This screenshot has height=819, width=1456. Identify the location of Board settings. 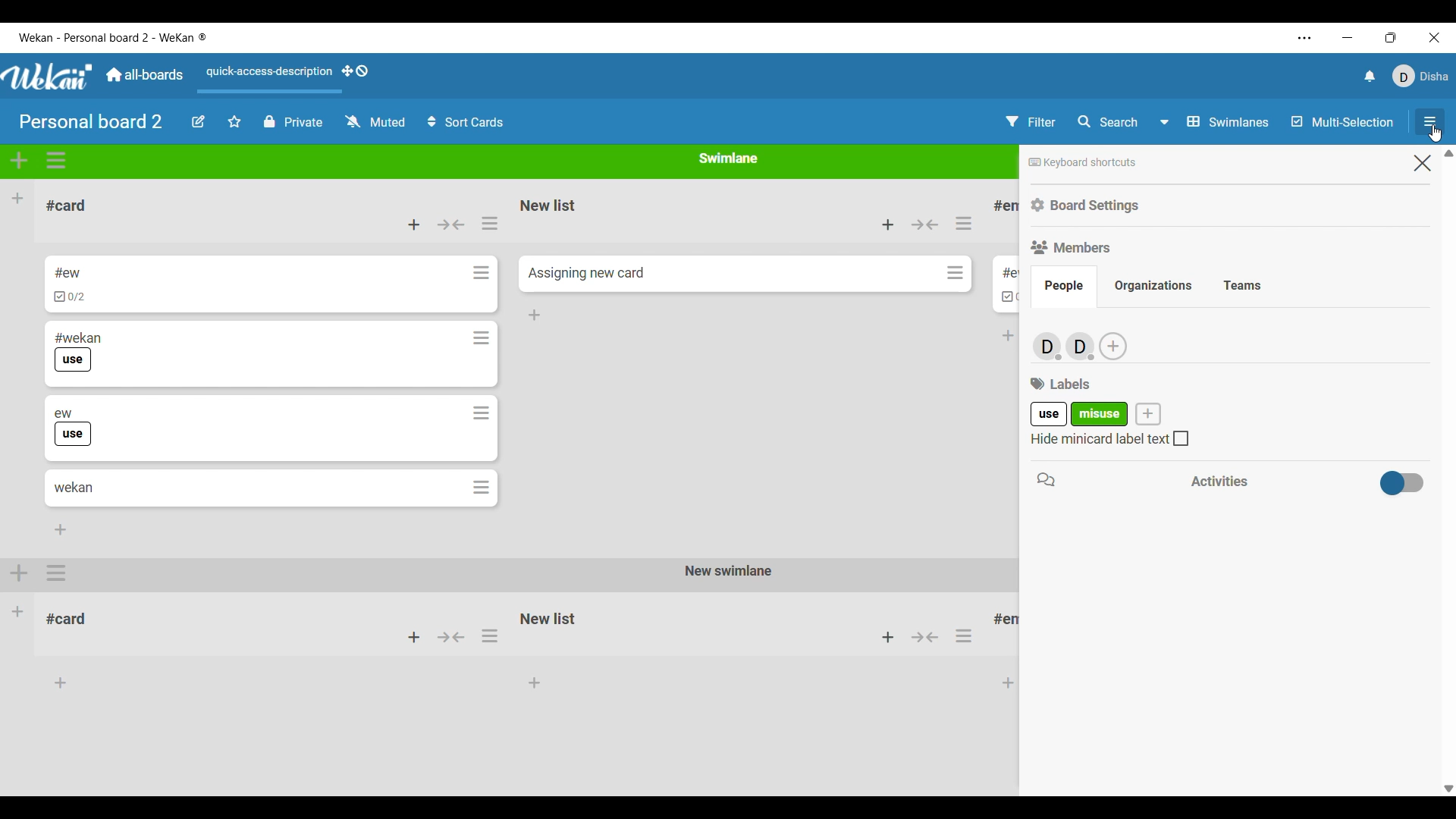
(1086, 206).